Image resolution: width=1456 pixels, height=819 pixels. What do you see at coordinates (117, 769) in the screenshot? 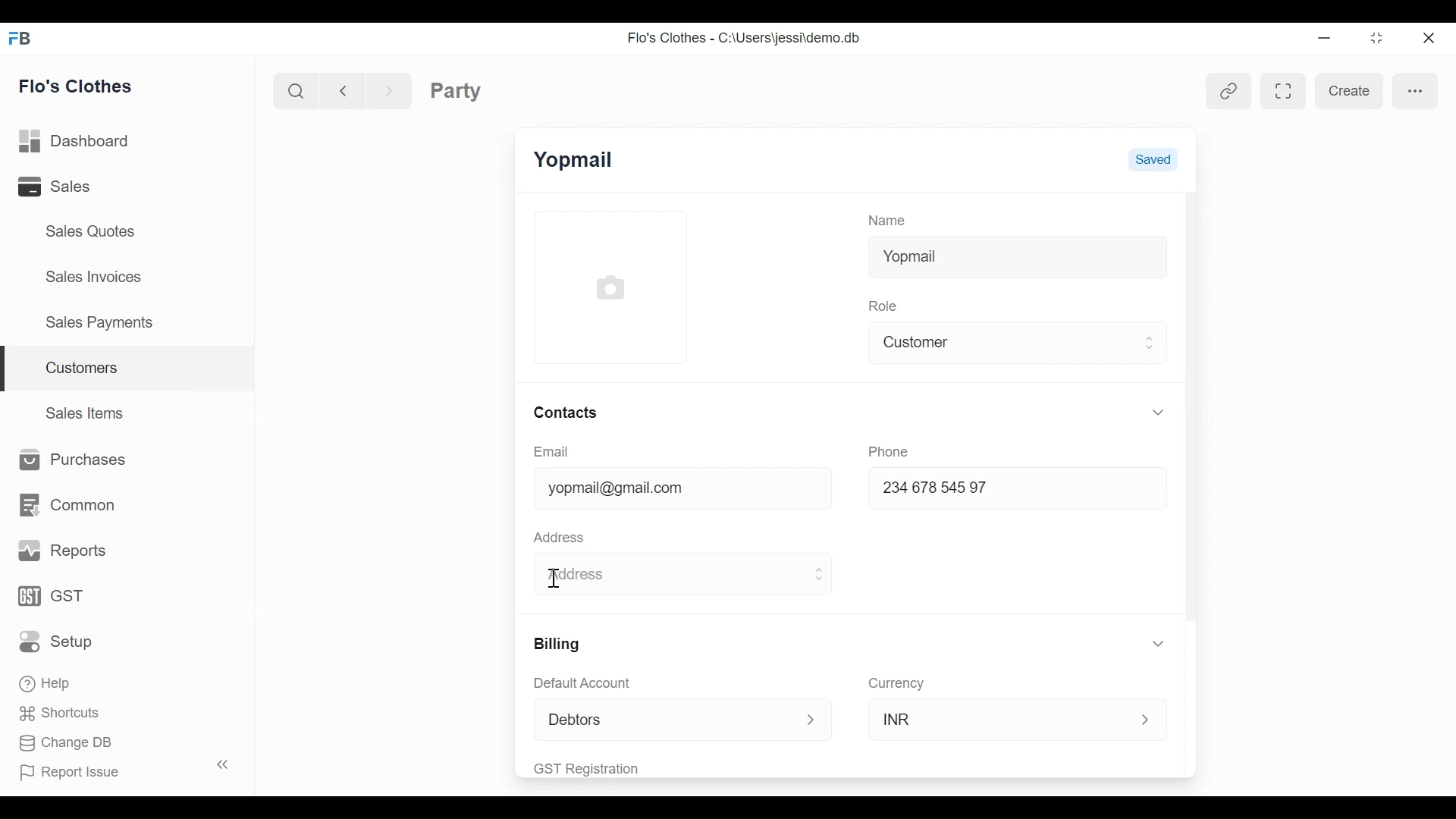
I see `Report Issue` at bounding box center [117, 769].